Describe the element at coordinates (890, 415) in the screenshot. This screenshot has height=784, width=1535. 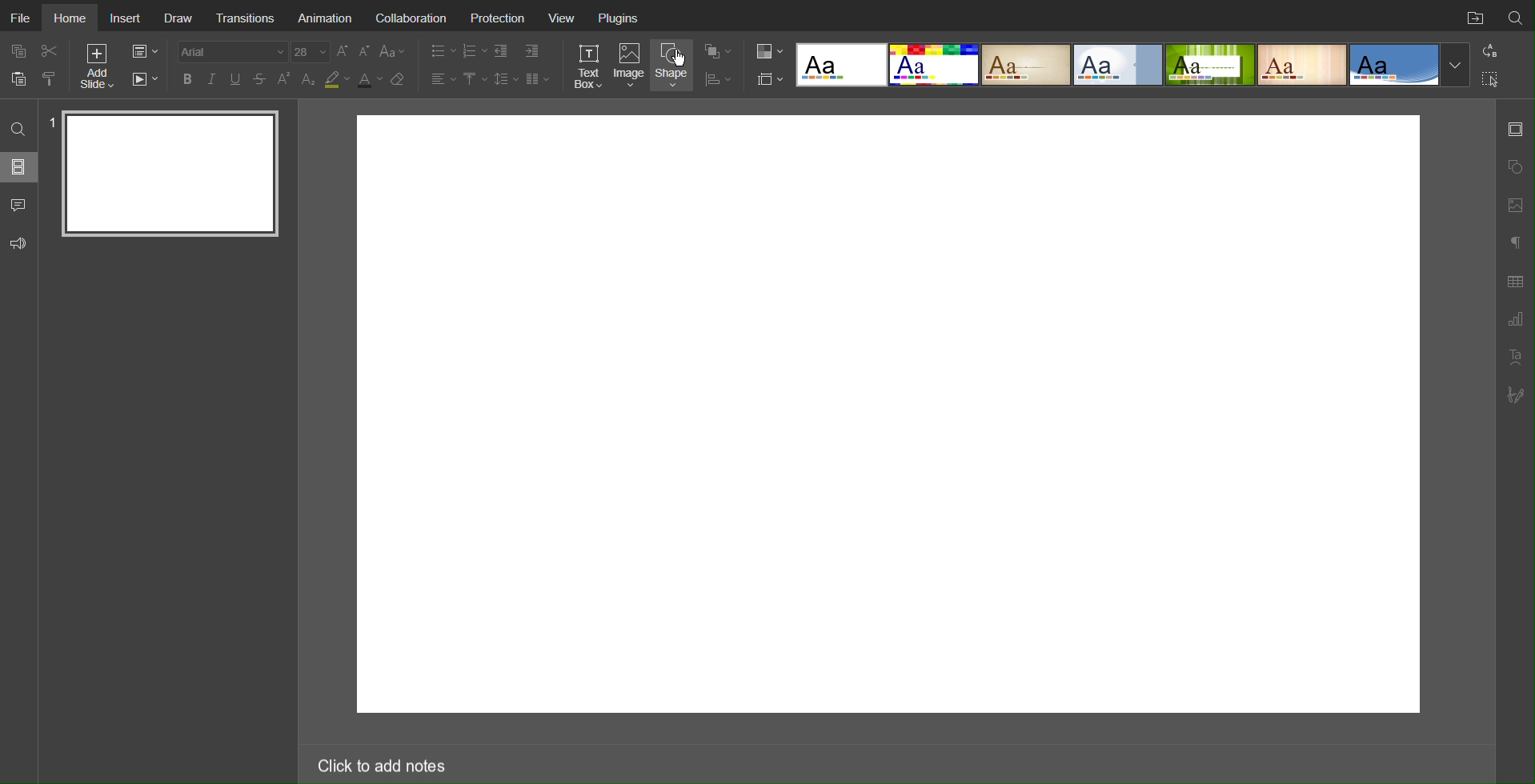
I see `work space` at that location.